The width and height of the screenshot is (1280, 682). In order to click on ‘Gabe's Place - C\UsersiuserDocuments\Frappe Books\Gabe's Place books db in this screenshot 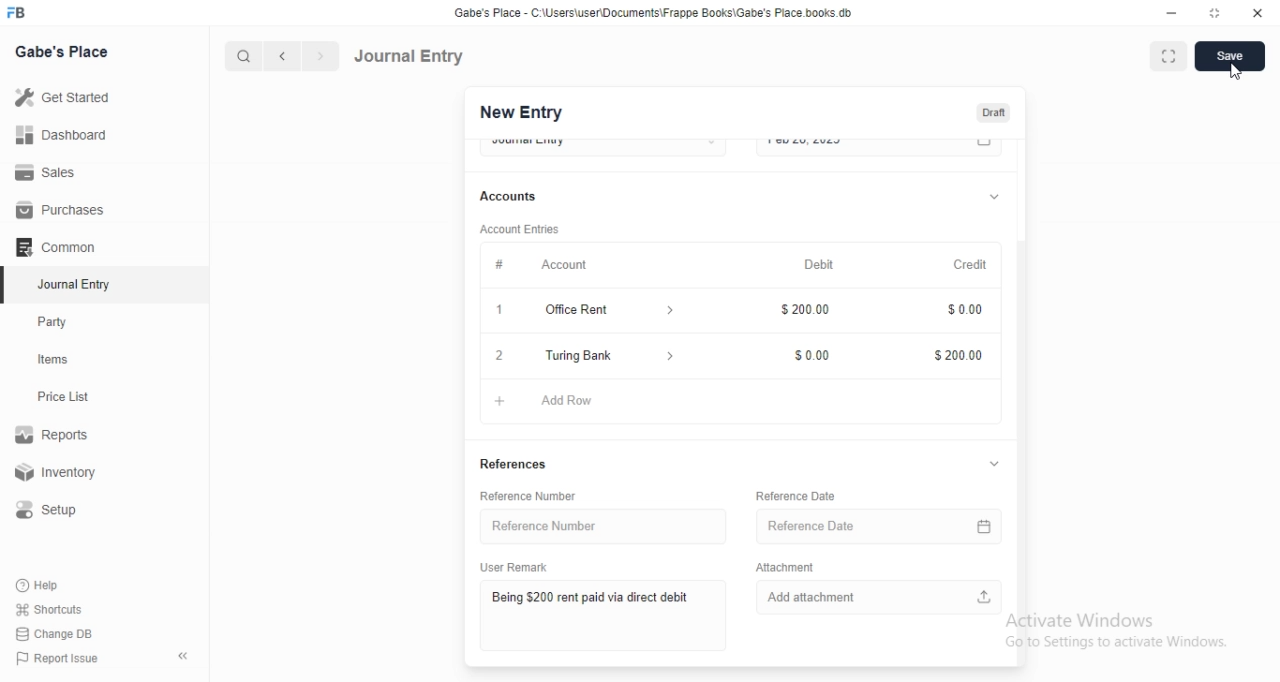, I will do `click(669, 12)`.